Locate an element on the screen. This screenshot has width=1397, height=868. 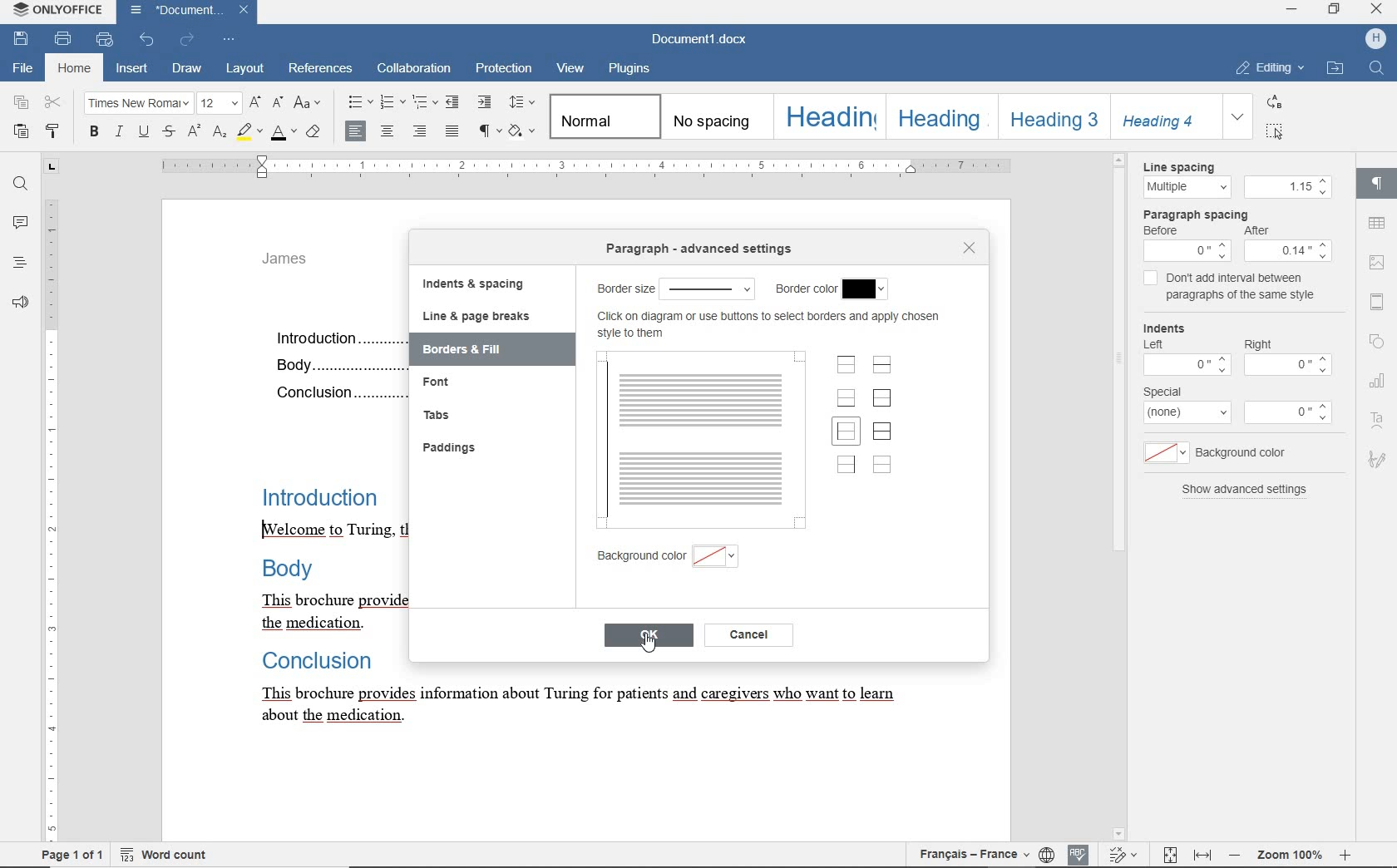
cut is located at coordinates (54, 103).